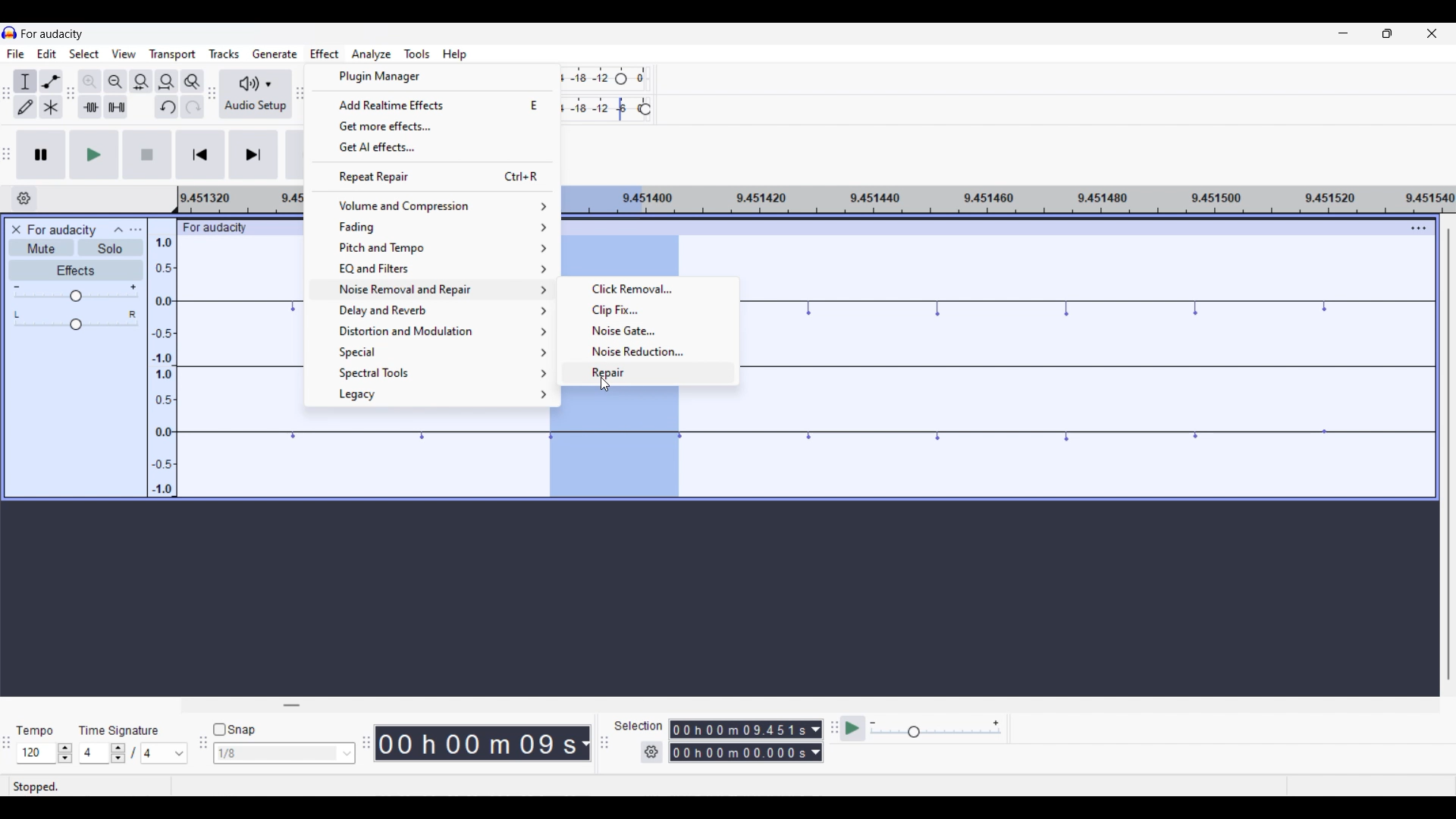 Image resolution: width=1456 pixels, height=819 pixels. I want to click on Software name, so click(52, 34).